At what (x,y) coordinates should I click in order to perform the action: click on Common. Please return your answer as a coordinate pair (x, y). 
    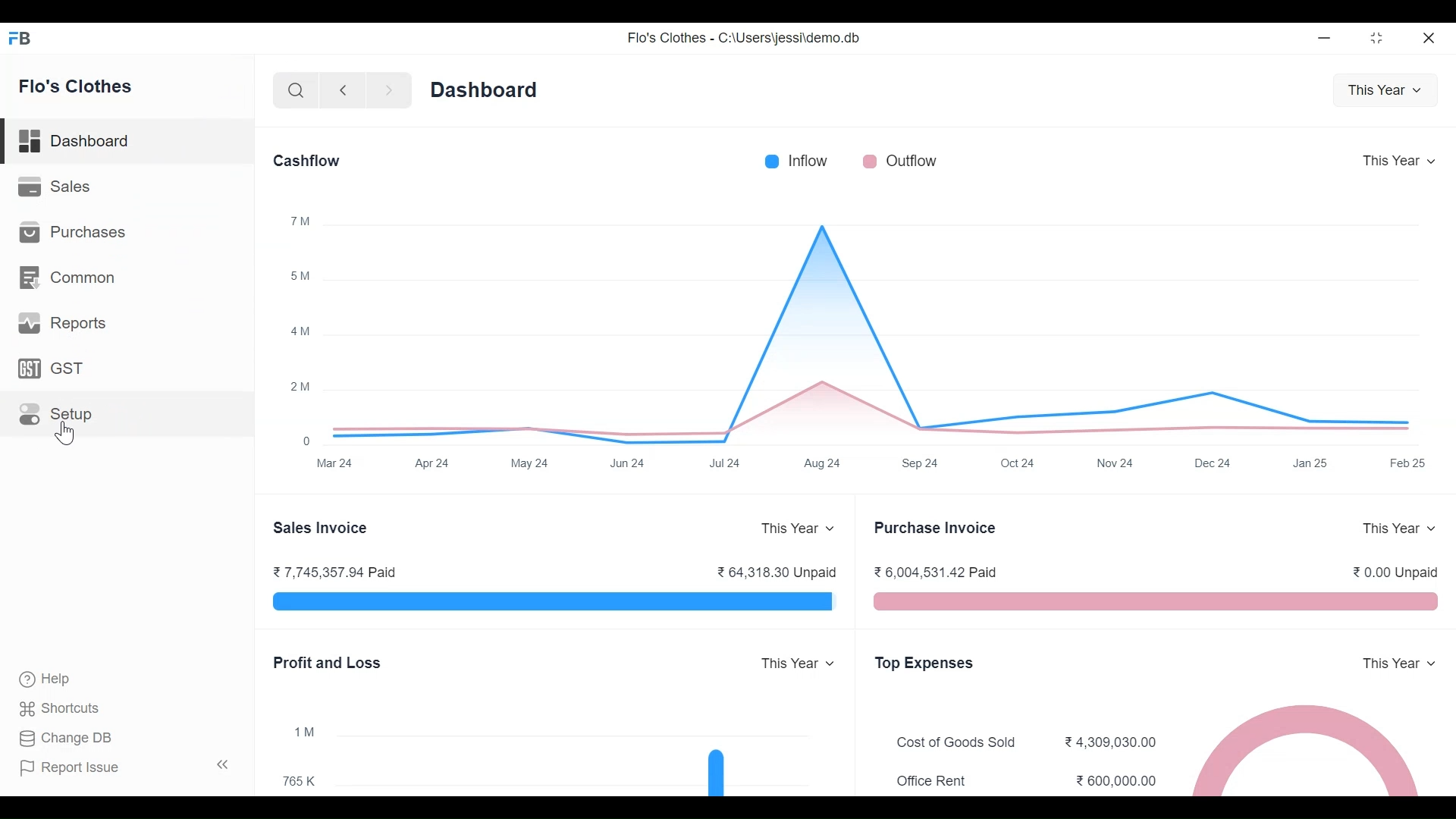
    Looking at the image, I should click on (70, 280).